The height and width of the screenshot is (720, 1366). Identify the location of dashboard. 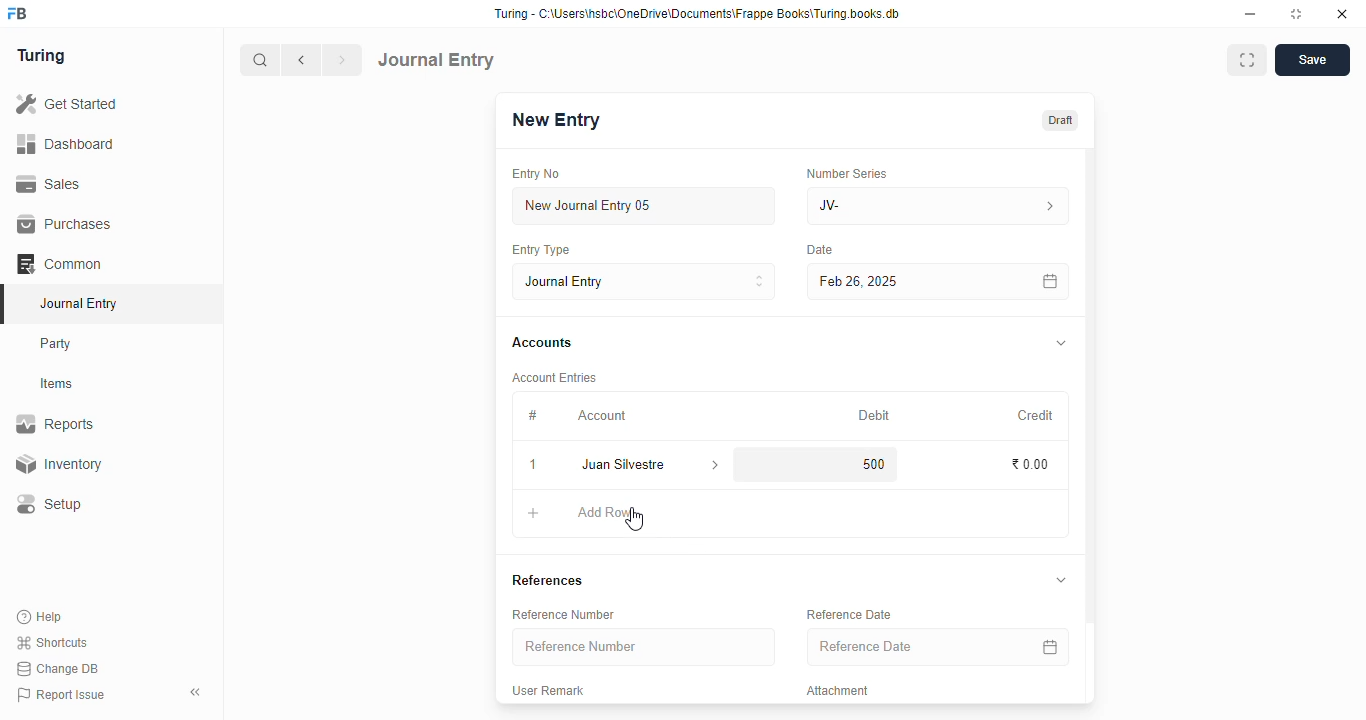
(66, 143).